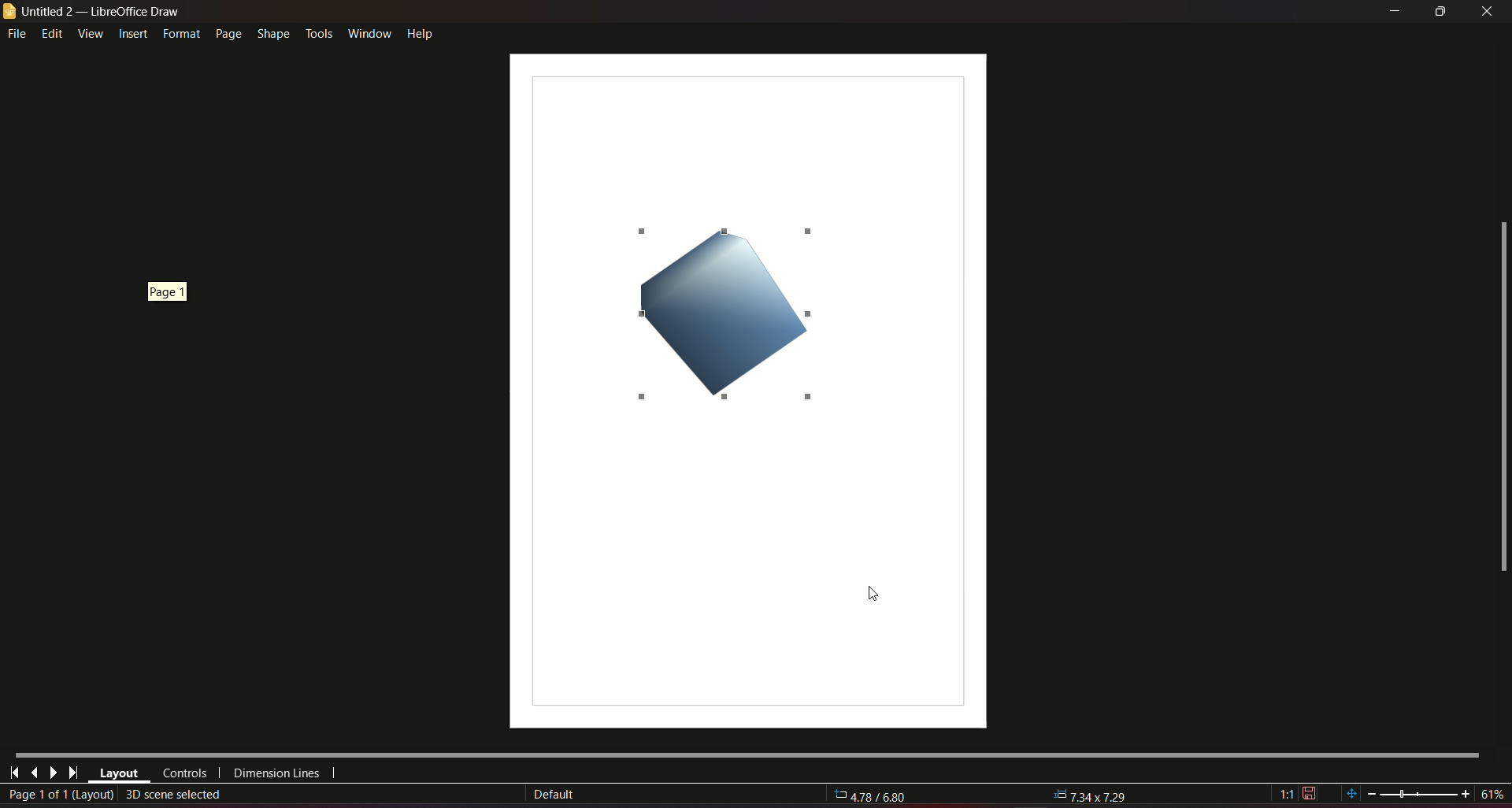  What do you see at coordinates (183, 773) in the screenshot?
I see `controls` at bounding box center [183, 773].